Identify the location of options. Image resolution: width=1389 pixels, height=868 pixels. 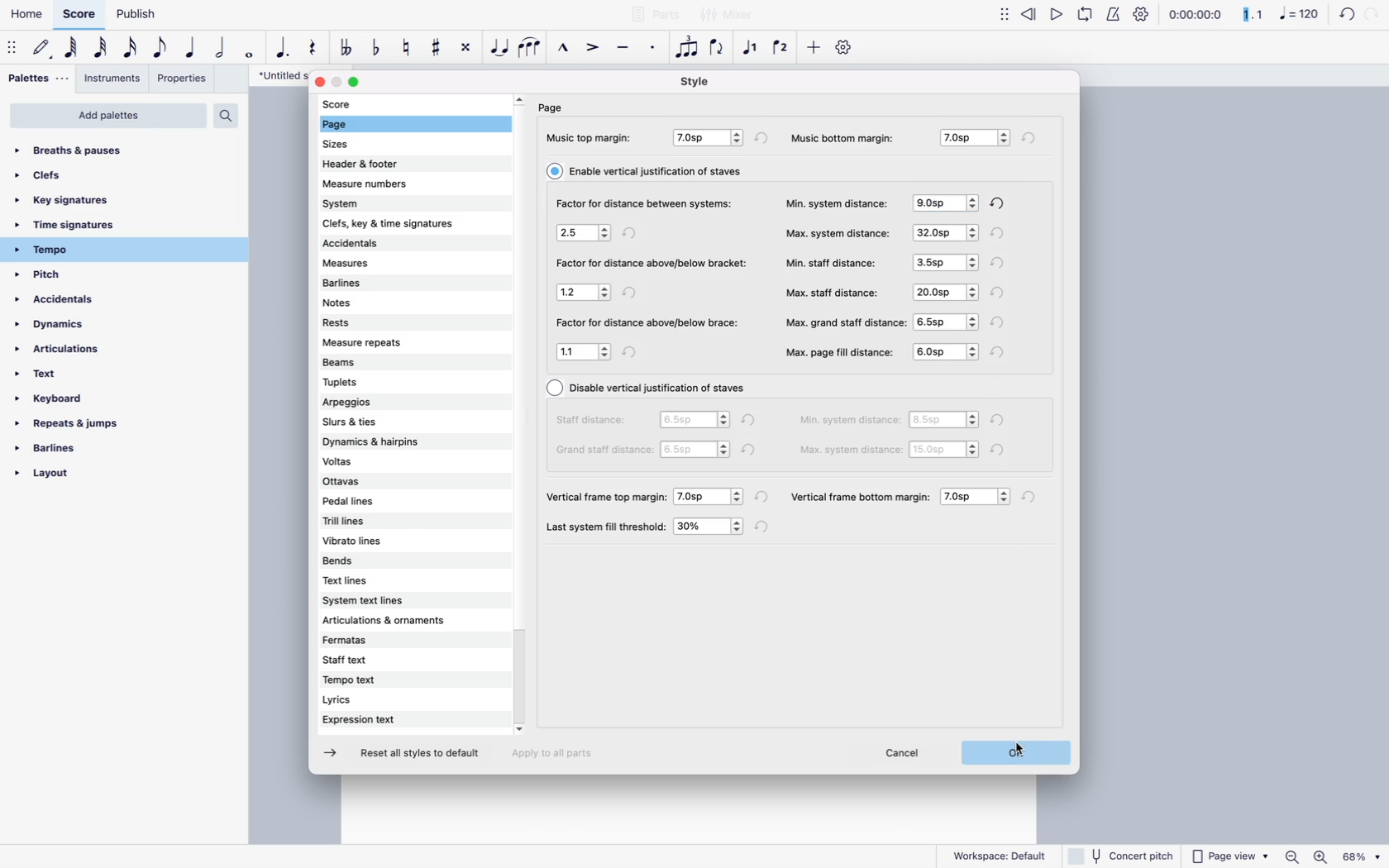
(710, 139).